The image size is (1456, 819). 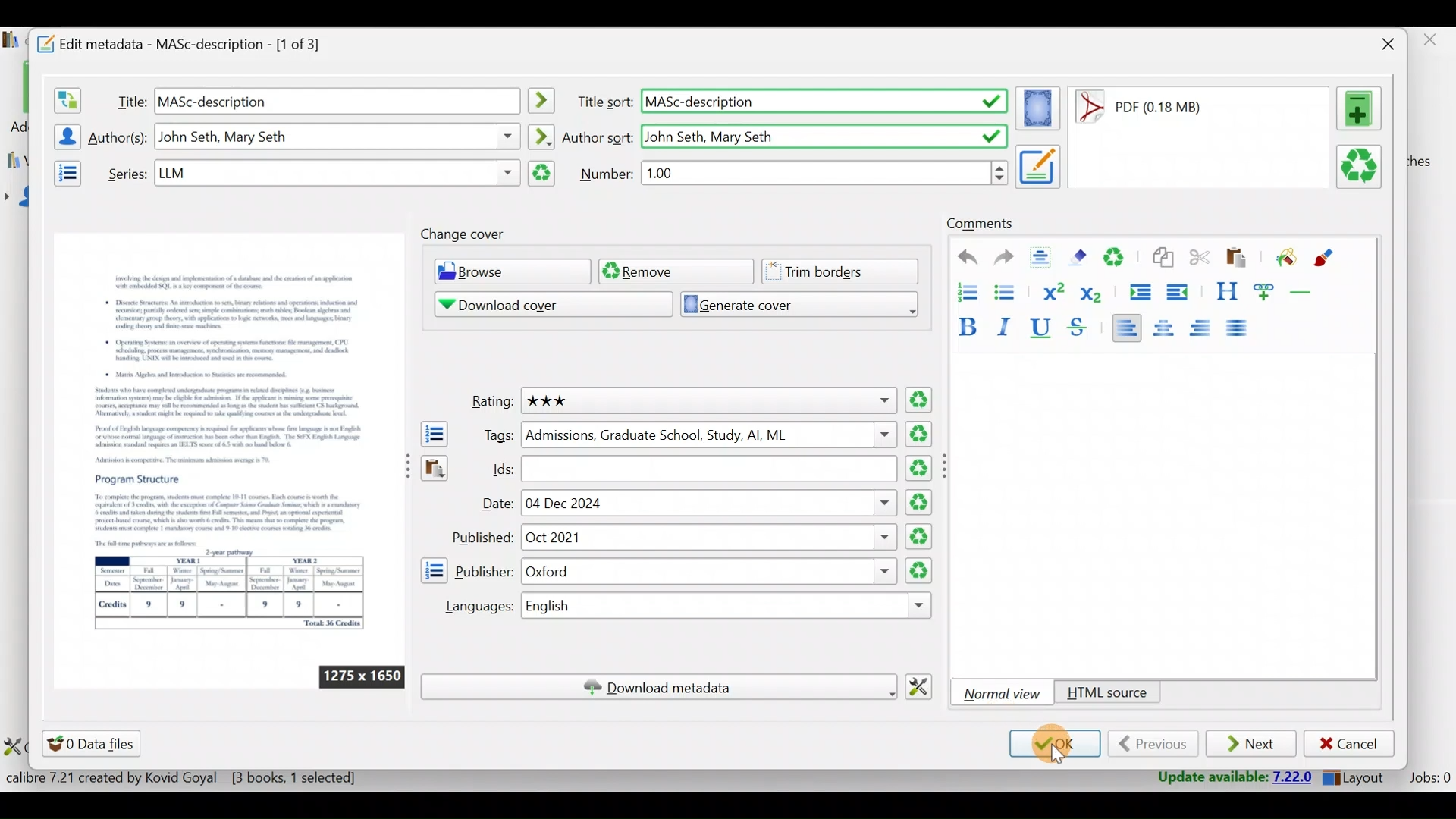 What do you see at coordinates (826, 172) in the screenshot?
I see `` at bounding box center [826, 172].